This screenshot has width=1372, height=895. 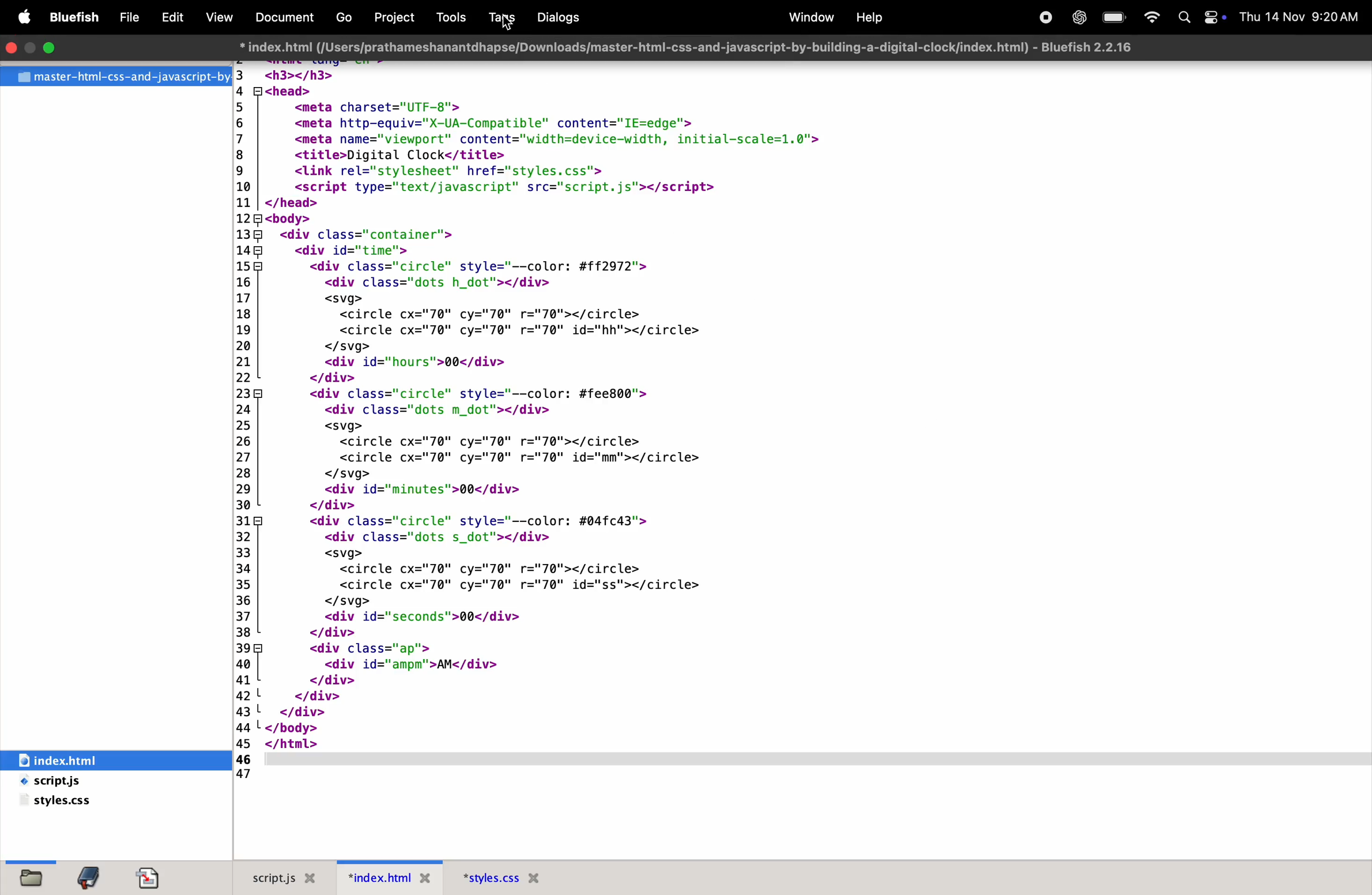 I want to click on apple menu, so click(x=28, y=18).